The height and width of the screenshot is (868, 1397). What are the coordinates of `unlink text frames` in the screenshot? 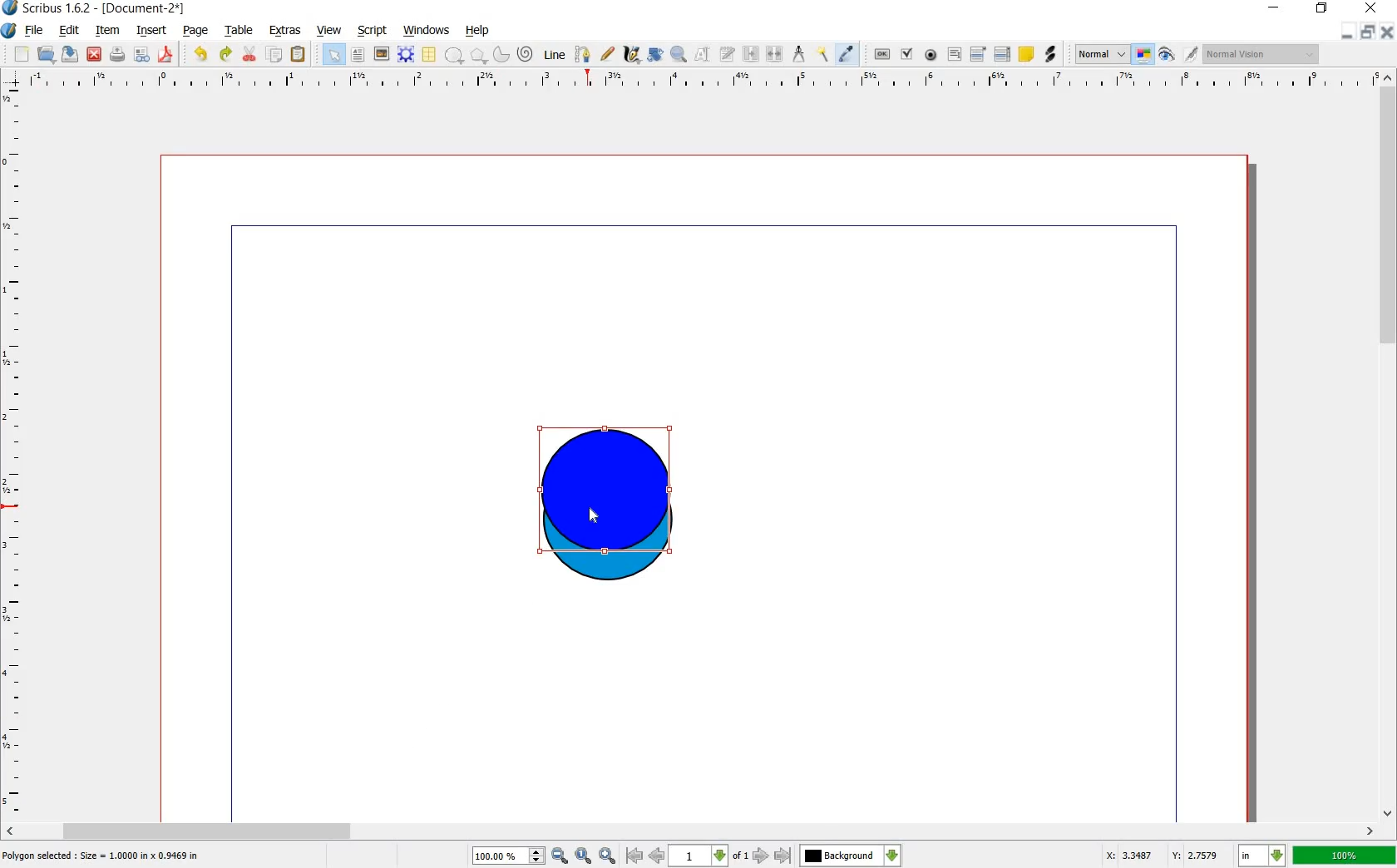 It's located at (777, 55).